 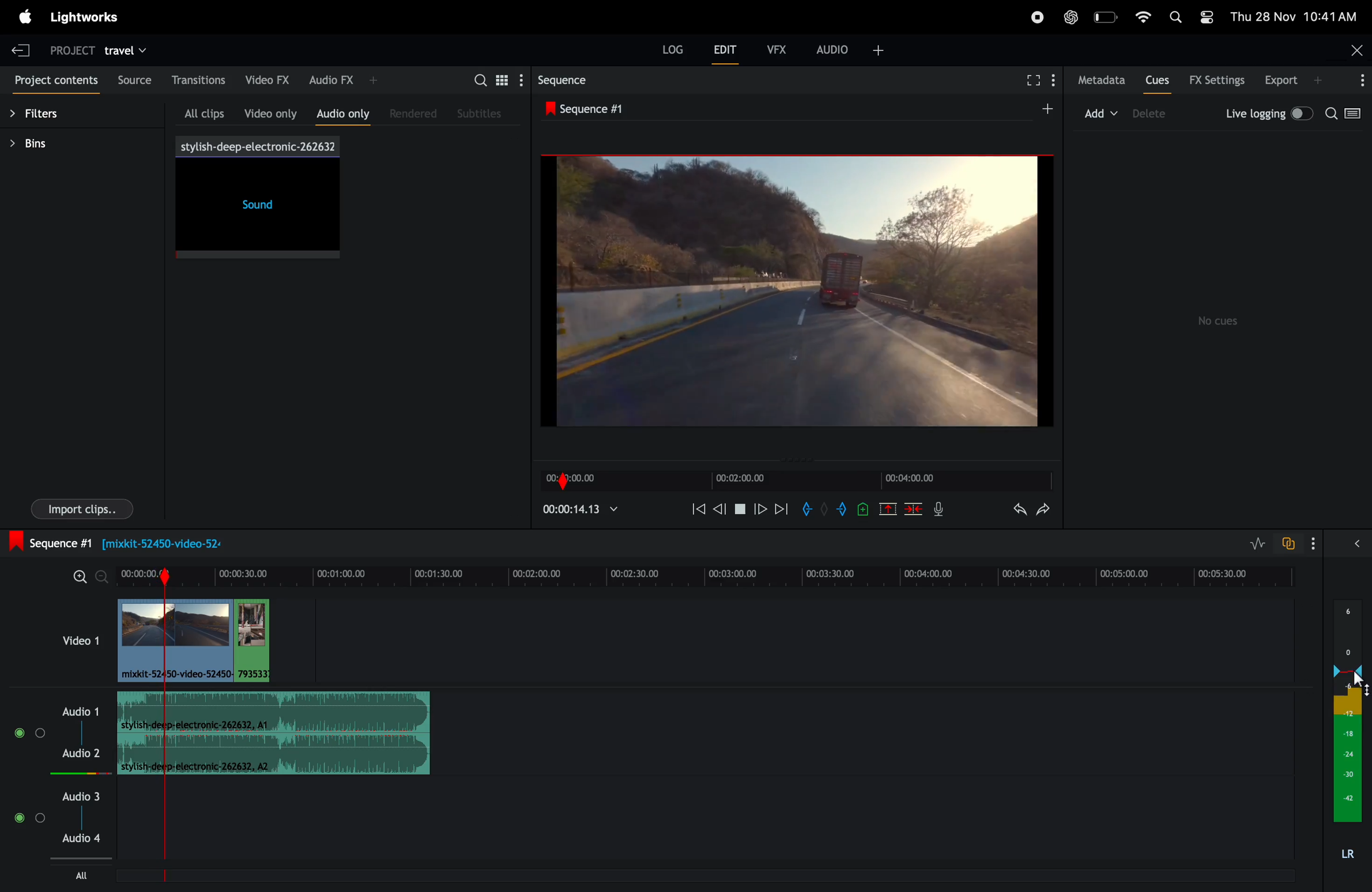 What do you see at coordinates (340, 114) in the screenshot?
I see `audio only` at bounding box center [340, 114].